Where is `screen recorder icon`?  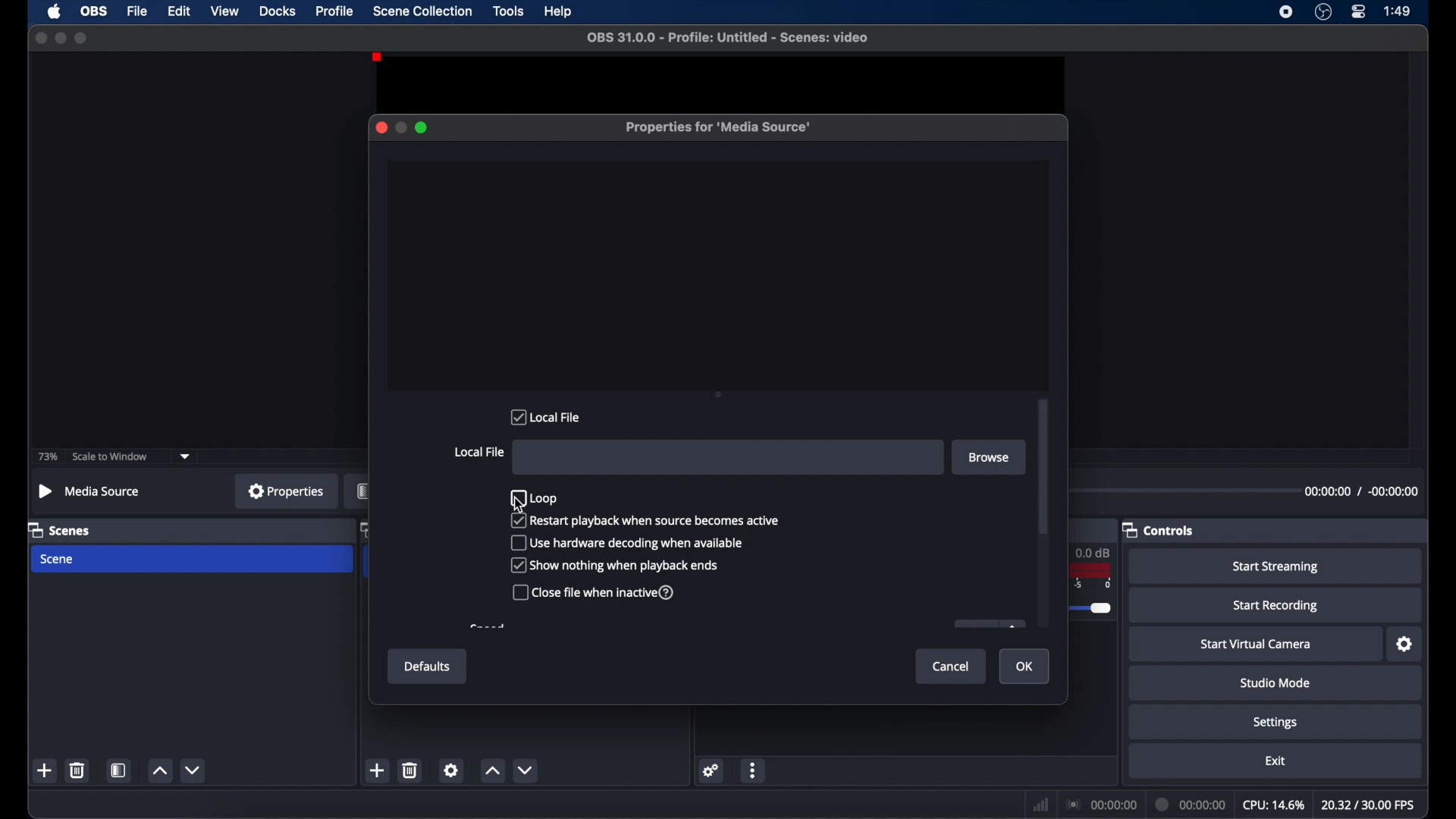
screen recorder icon is located at coordinates (1285, 12).